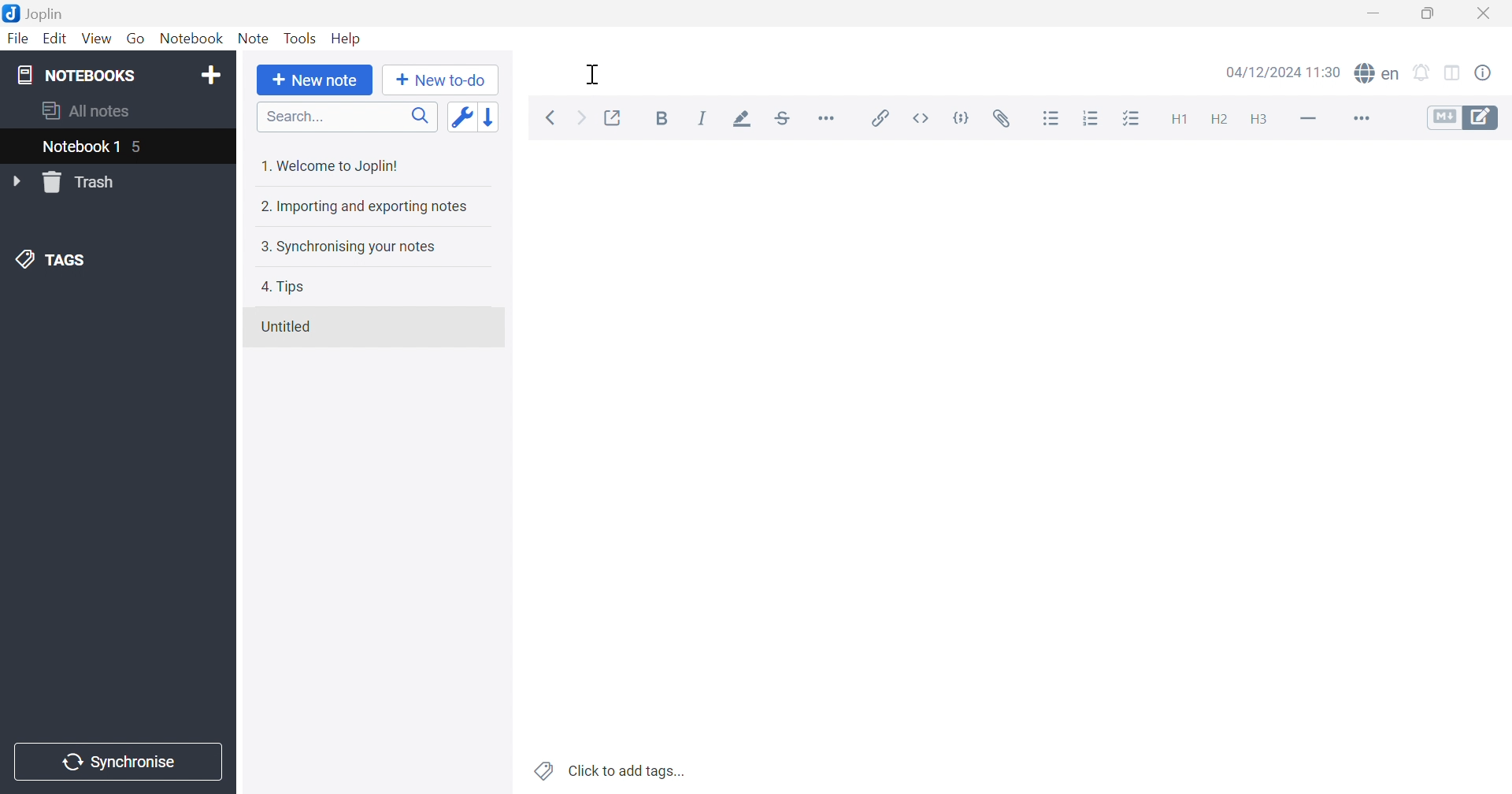 The height and width of the screenshot is (794, 1512). Describe the element at coordinates (299, 38) in the screenshot. I see `Tools` at that location.